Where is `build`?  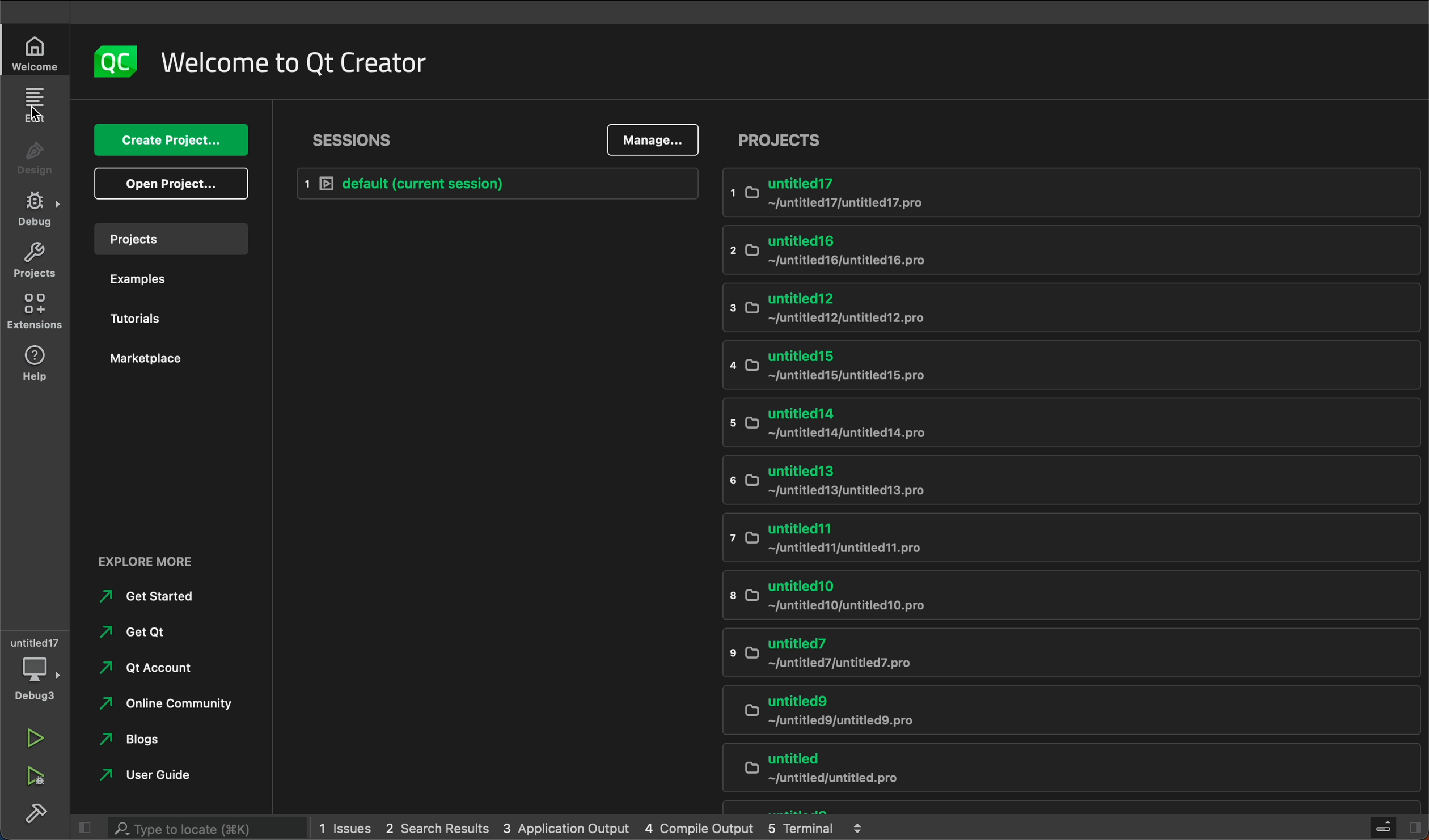
build is located at coordinates (38, 816).